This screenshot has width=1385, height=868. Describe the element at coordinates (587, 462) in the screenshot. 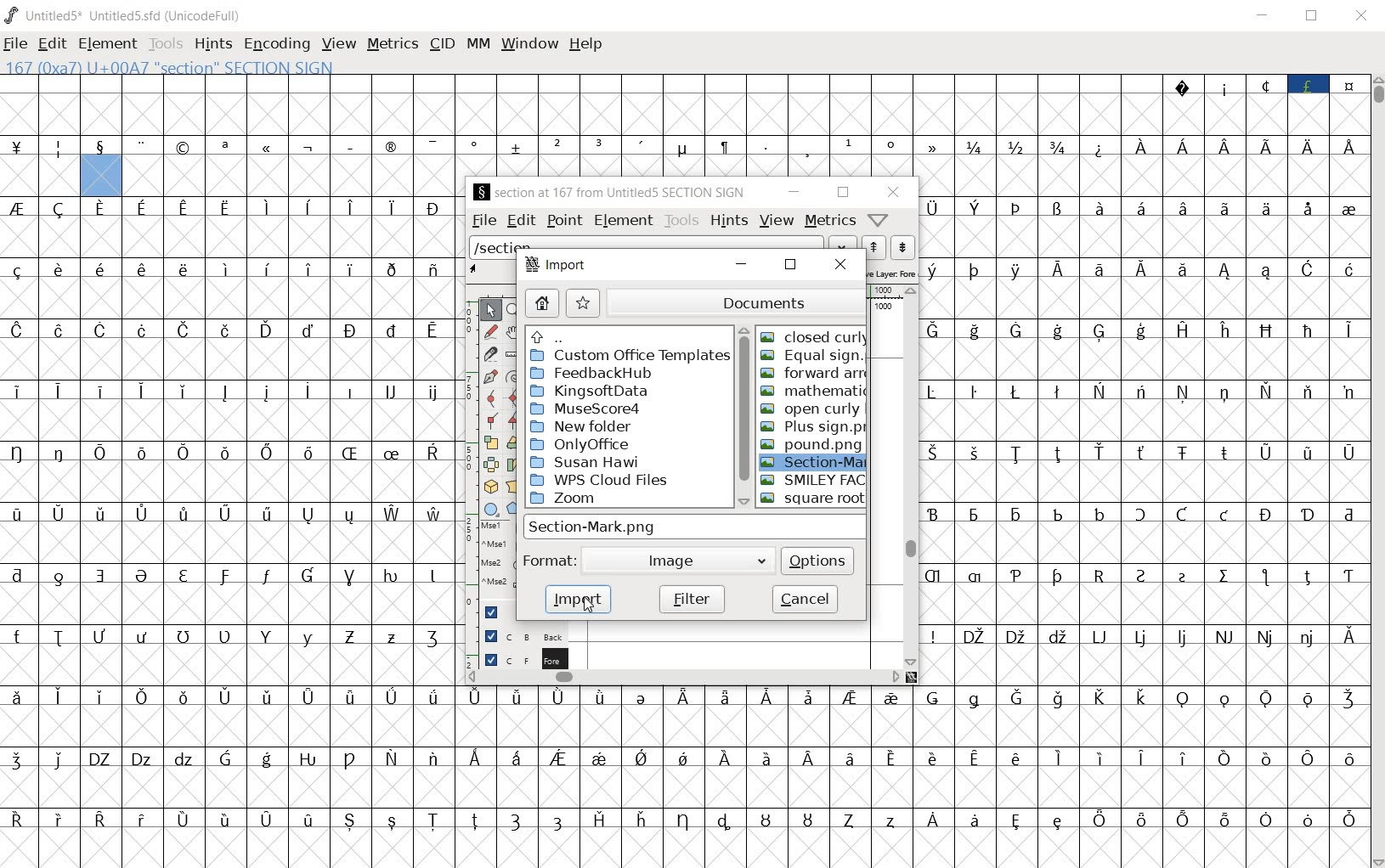

I see `Susan Hawi` at that location.